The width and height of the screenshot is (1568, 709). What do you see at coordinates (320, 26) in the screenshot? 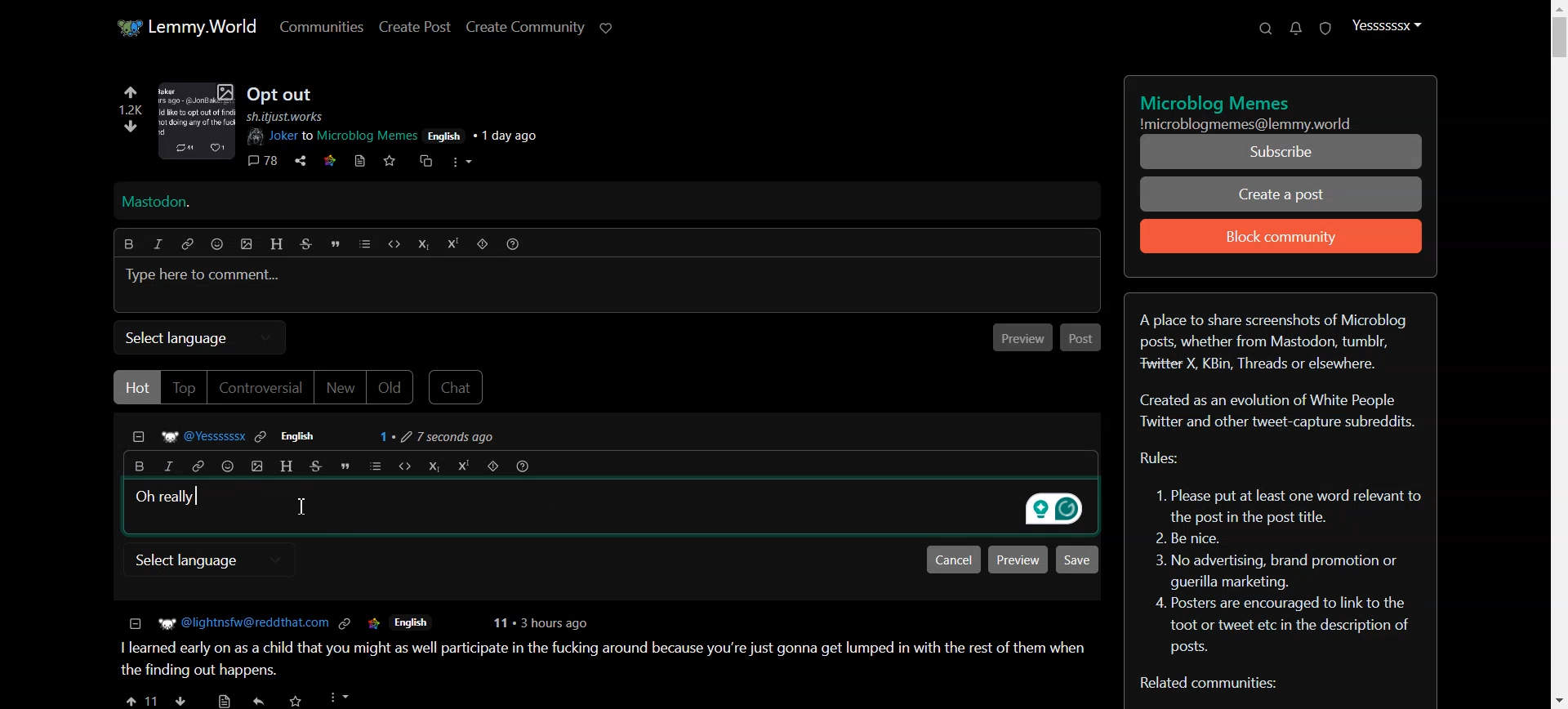
I see `Communities` at bounding box center [320, 26].